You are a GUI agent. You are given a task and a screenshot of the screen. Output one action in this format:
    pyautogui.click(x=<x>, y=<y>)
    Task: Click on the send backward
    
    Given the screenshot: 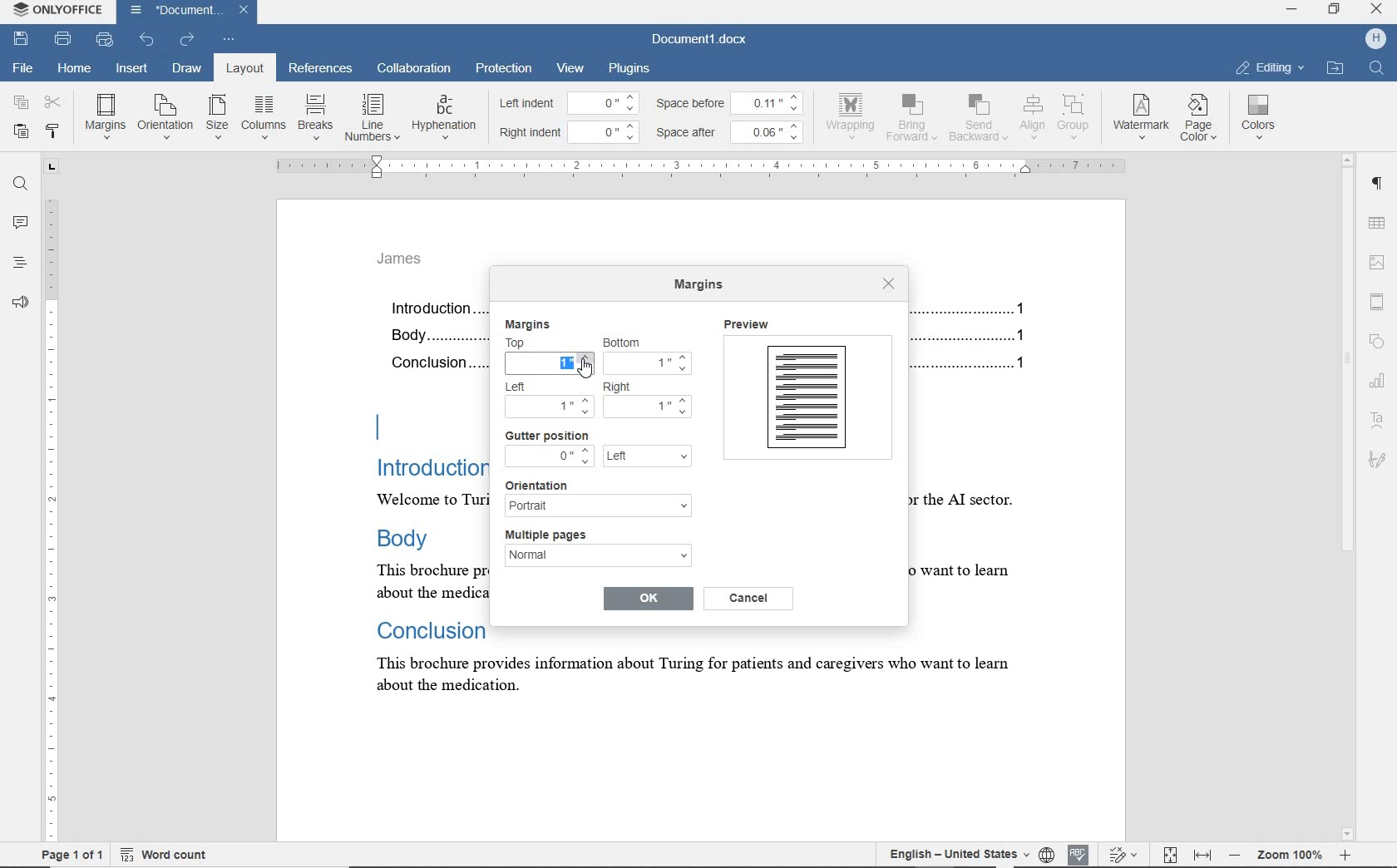 What is the action you would take?
    pyautogui.click(x=978, y=120)
    